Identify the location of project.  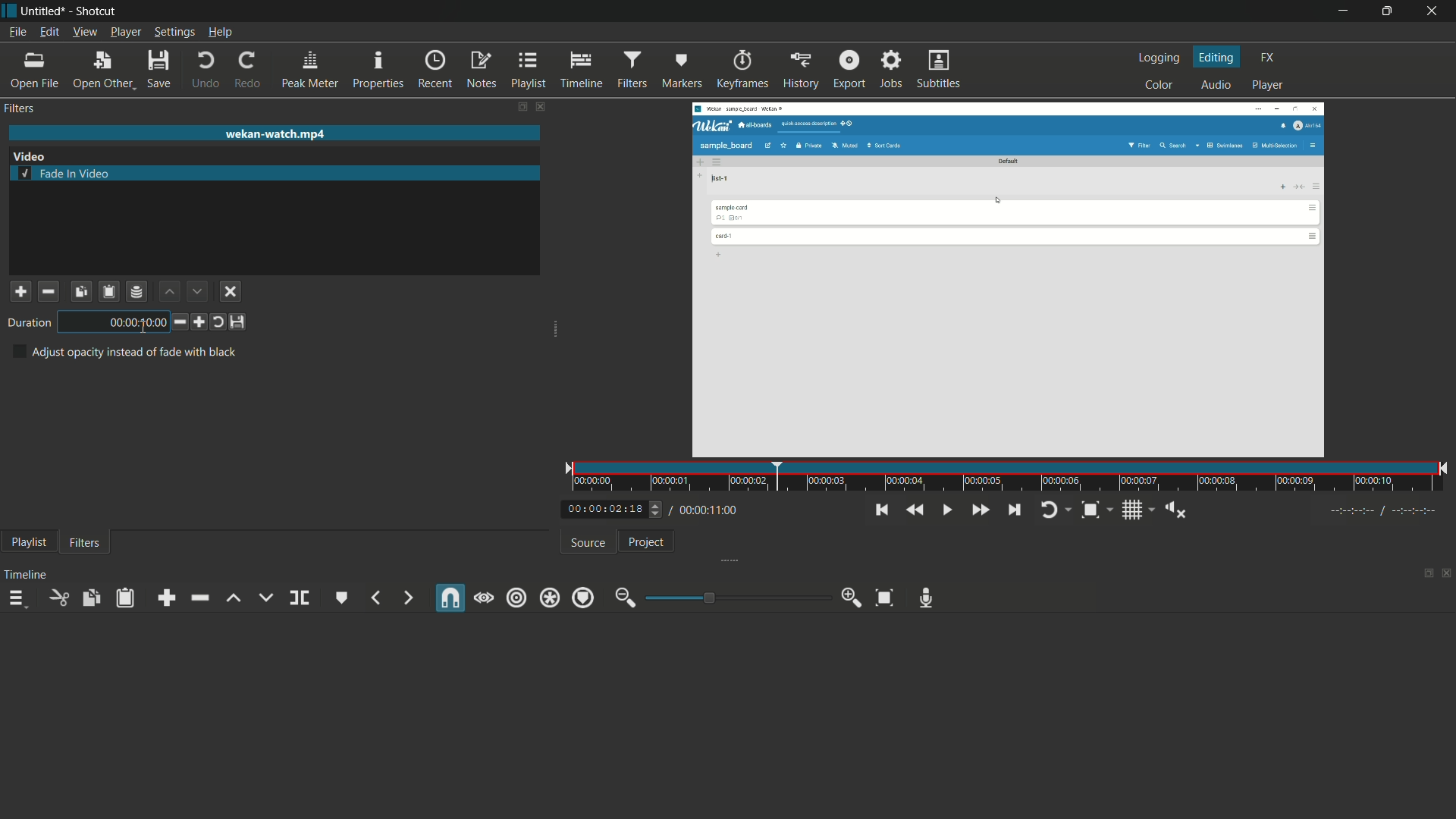
(648, 541).